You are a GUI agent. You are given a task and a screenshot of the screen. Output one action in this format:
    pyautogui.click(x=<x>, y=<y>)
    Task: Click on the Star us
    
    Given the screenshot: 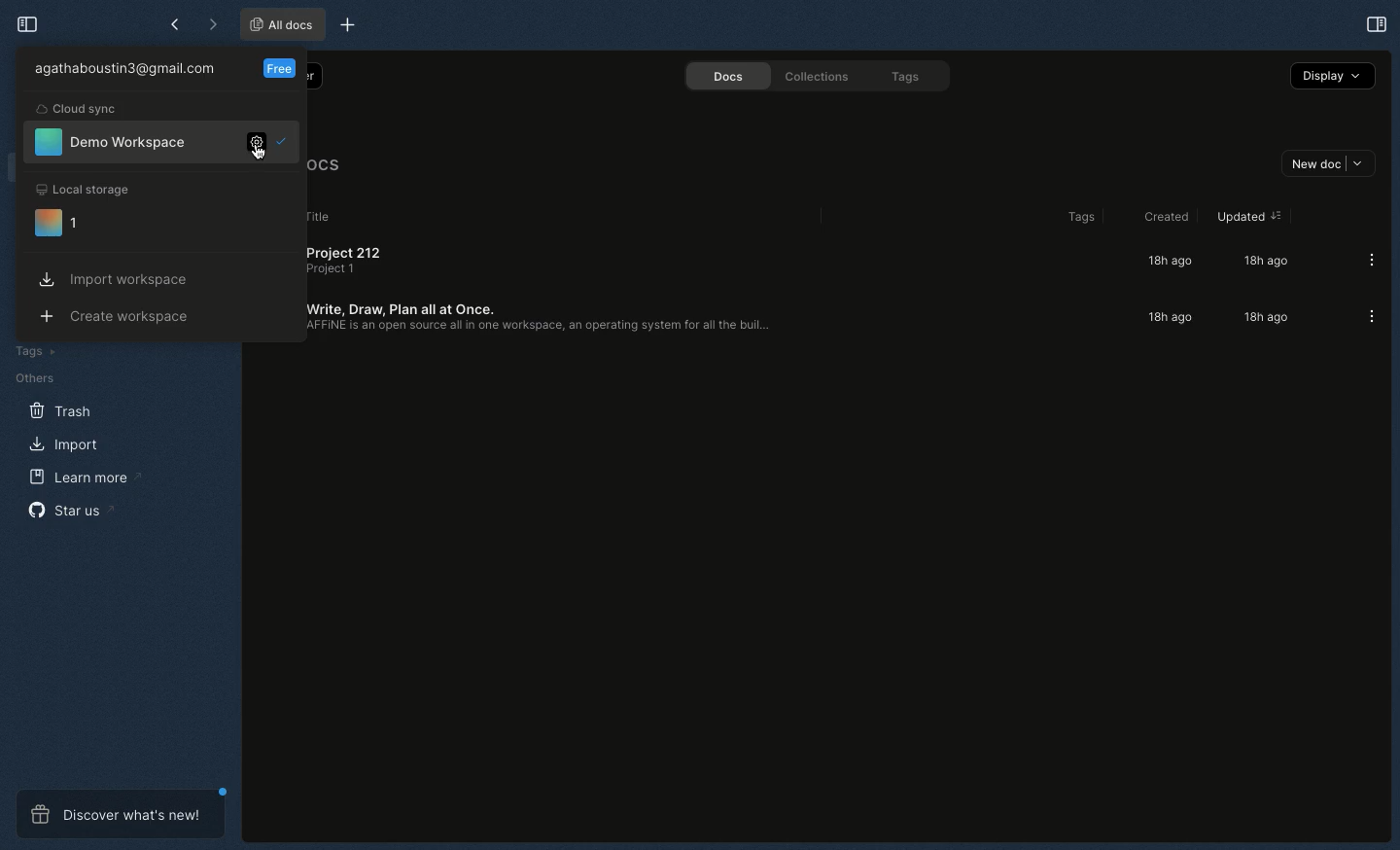 What is the action you would take?
    pyautogui.click(x=70, y=510)
    